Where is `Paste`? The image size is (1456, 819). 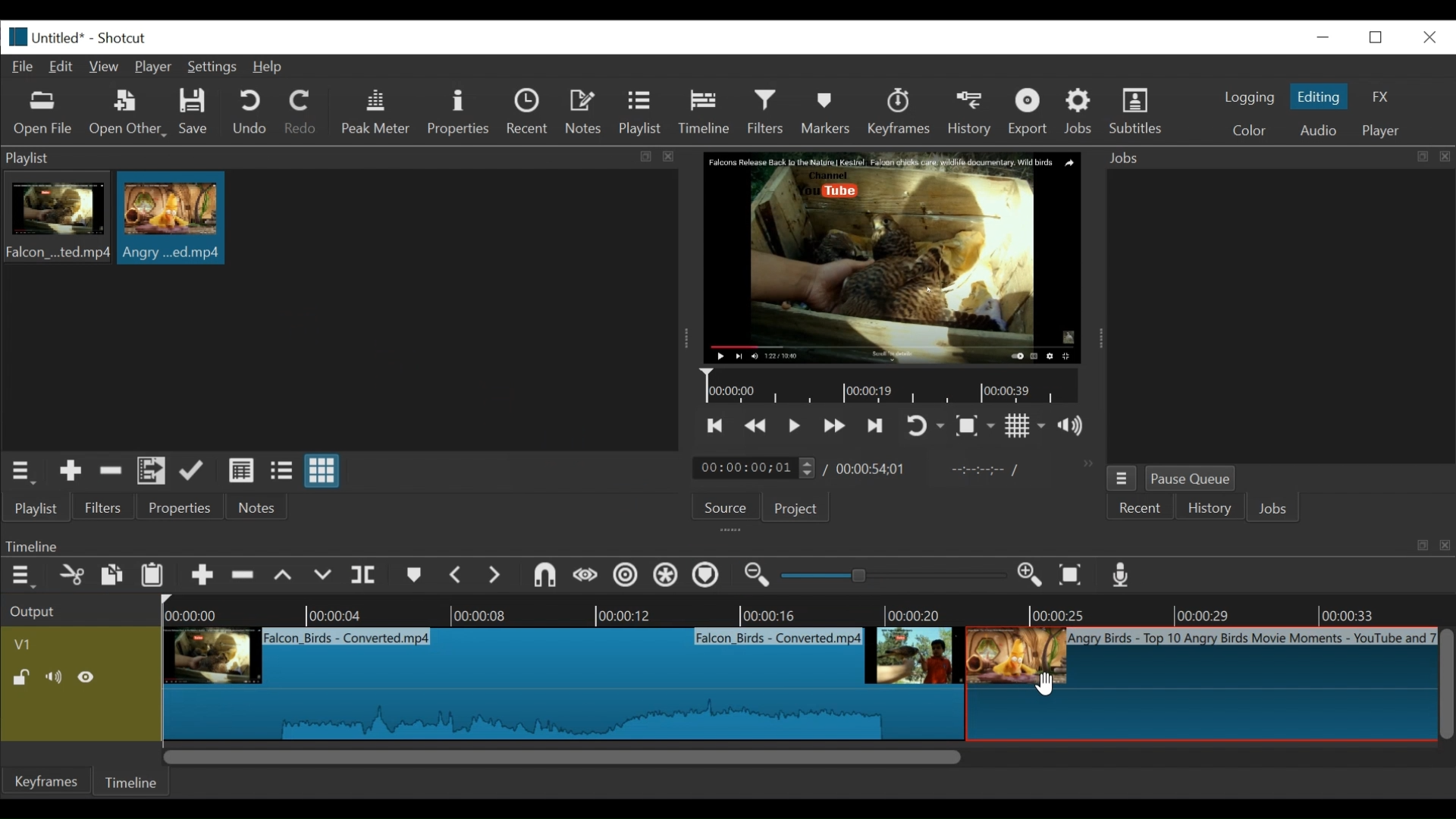
Paste is located at coordinates (158, 577).